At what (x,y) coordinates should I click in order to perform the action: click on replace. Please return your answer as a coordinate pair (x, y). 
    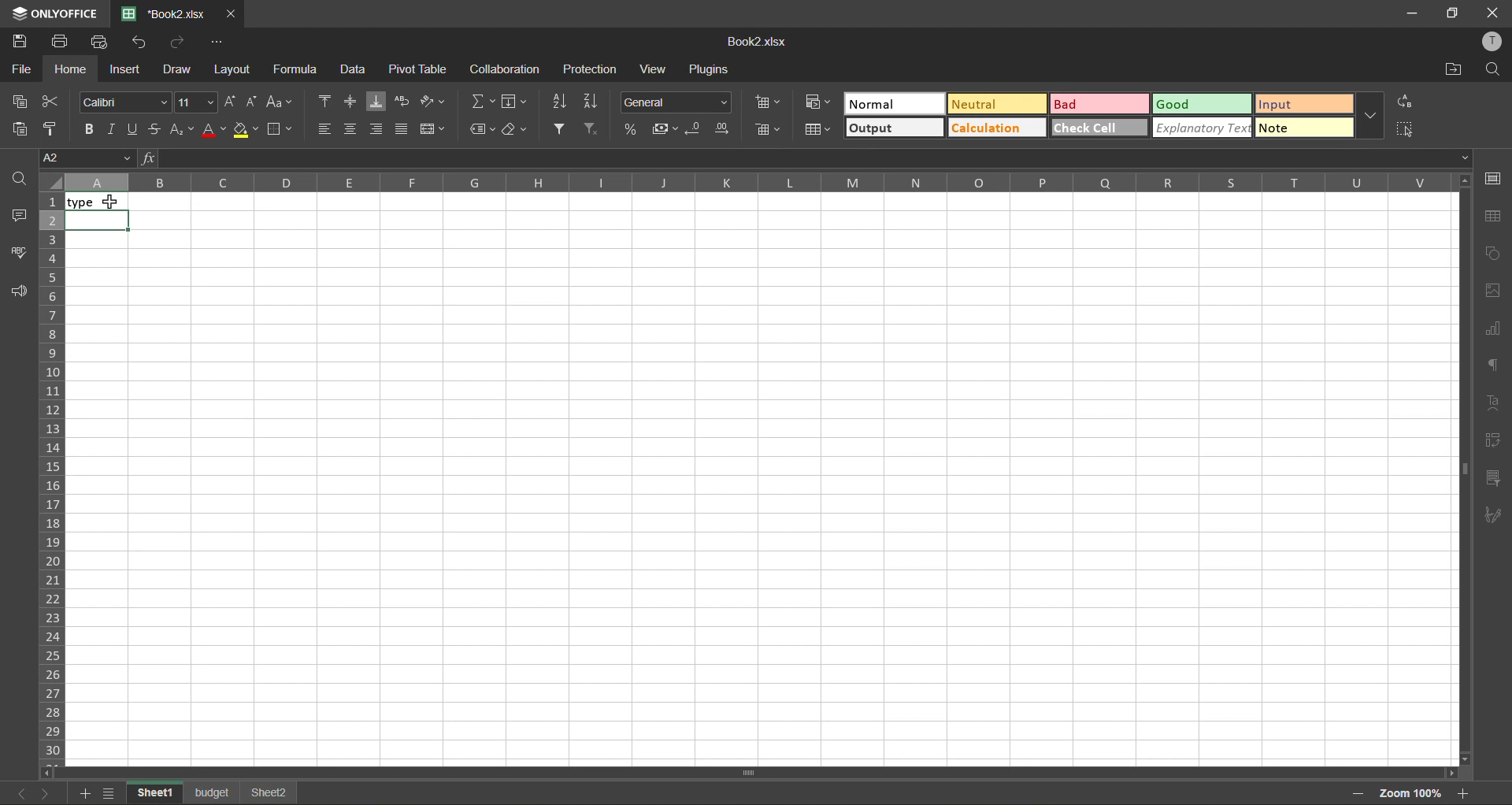
    Looking at the image, I should click on (1407, 103).